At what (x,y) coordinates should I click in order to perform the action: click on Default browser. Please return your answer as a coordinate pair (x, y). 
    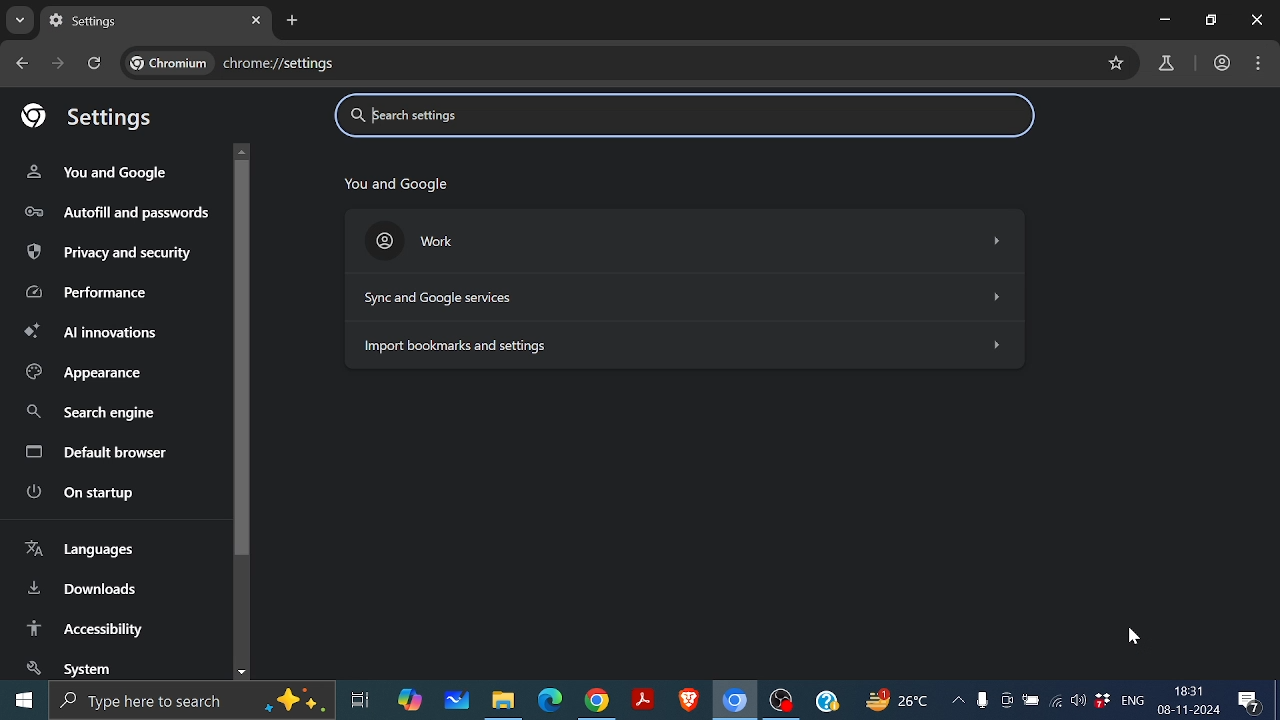
    Looking at the image, I should click on (104, 452).